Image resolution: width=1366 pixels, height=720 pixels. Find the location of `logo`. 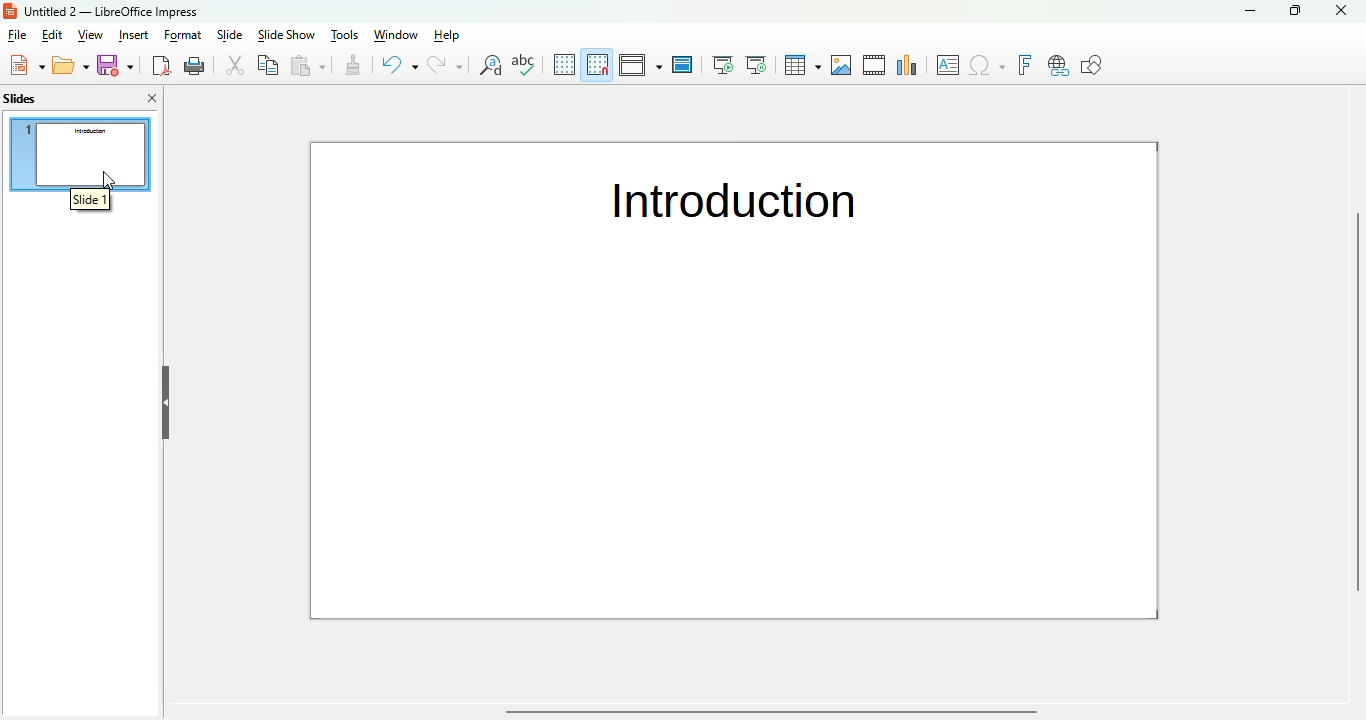

logo is located at coordinates (10, 10).